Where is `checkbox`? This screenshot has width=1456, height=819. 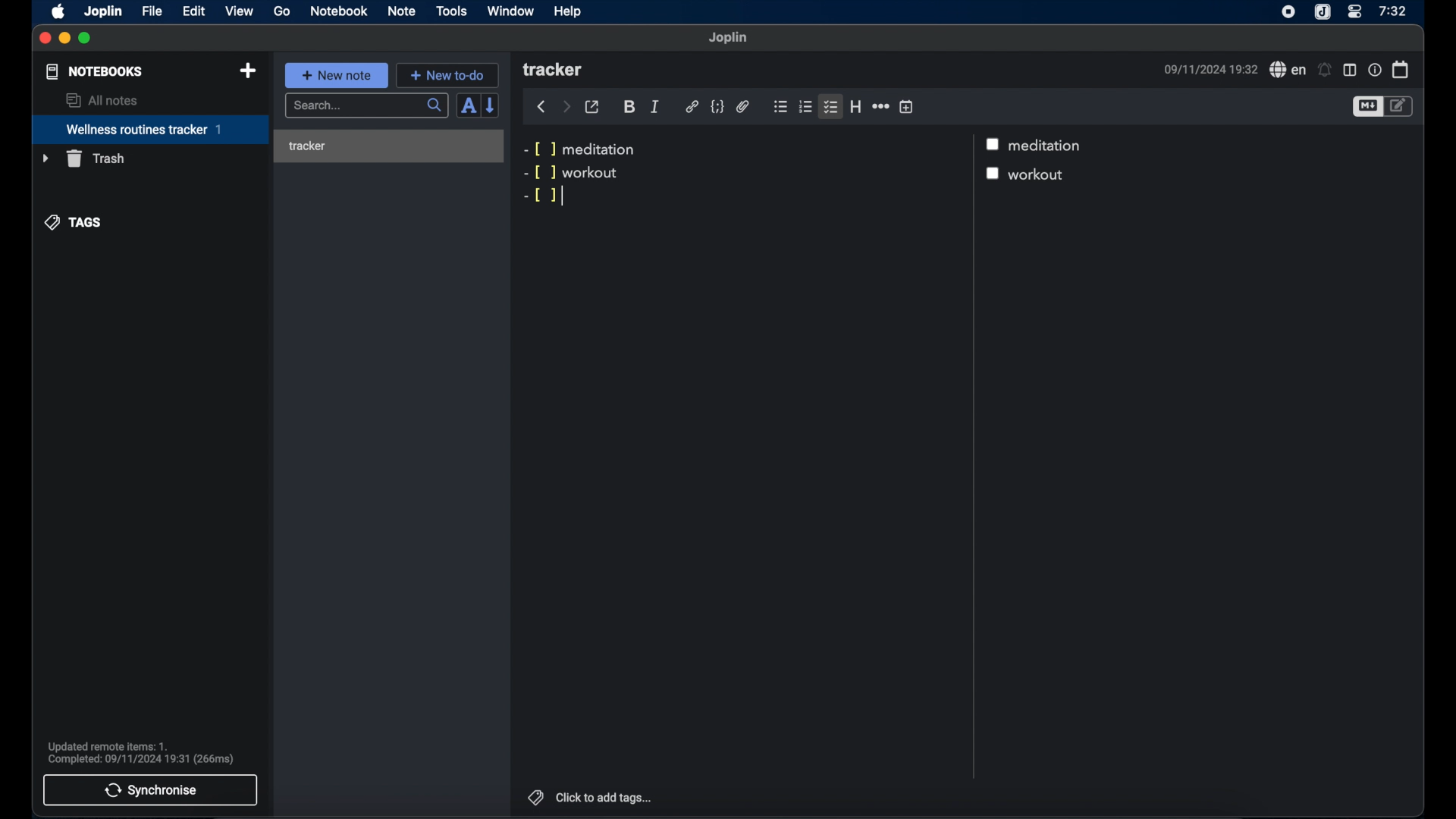 checkbox is located at coordinates (994, 143).